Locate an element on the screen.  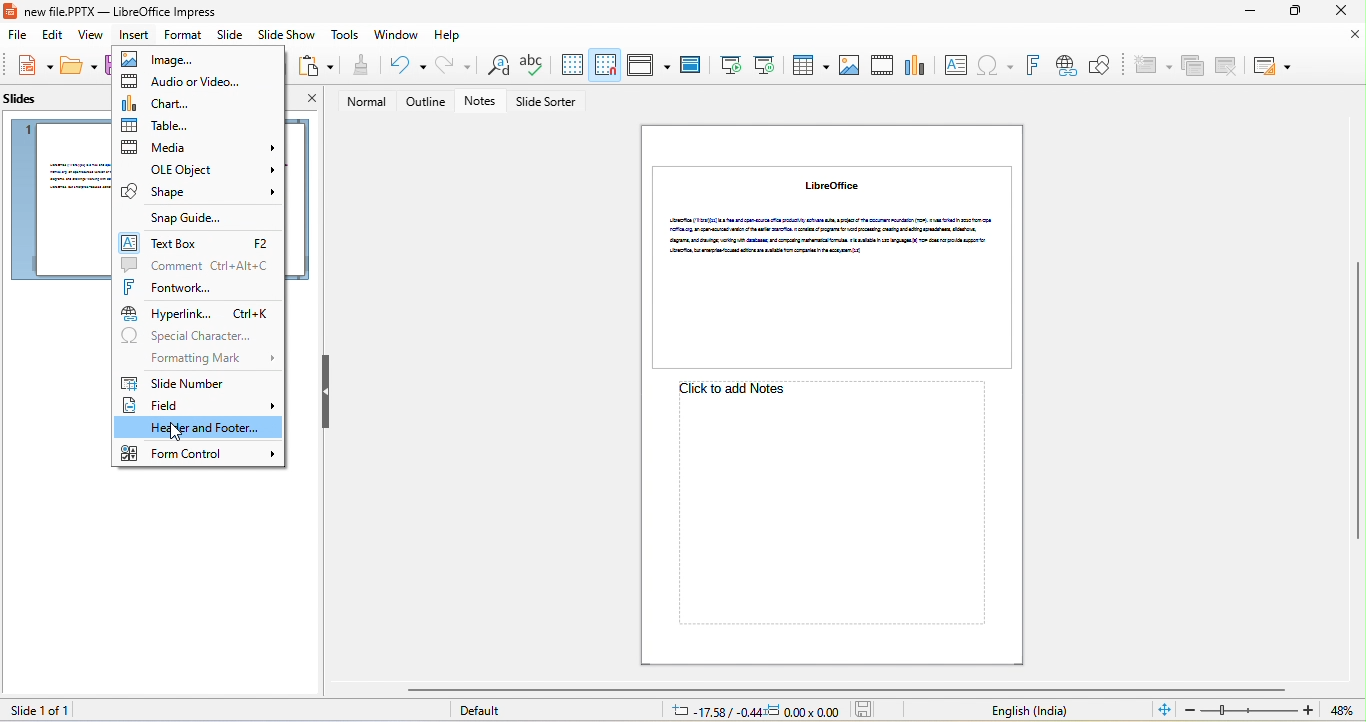
spelling is located at coordinates (532, 66).